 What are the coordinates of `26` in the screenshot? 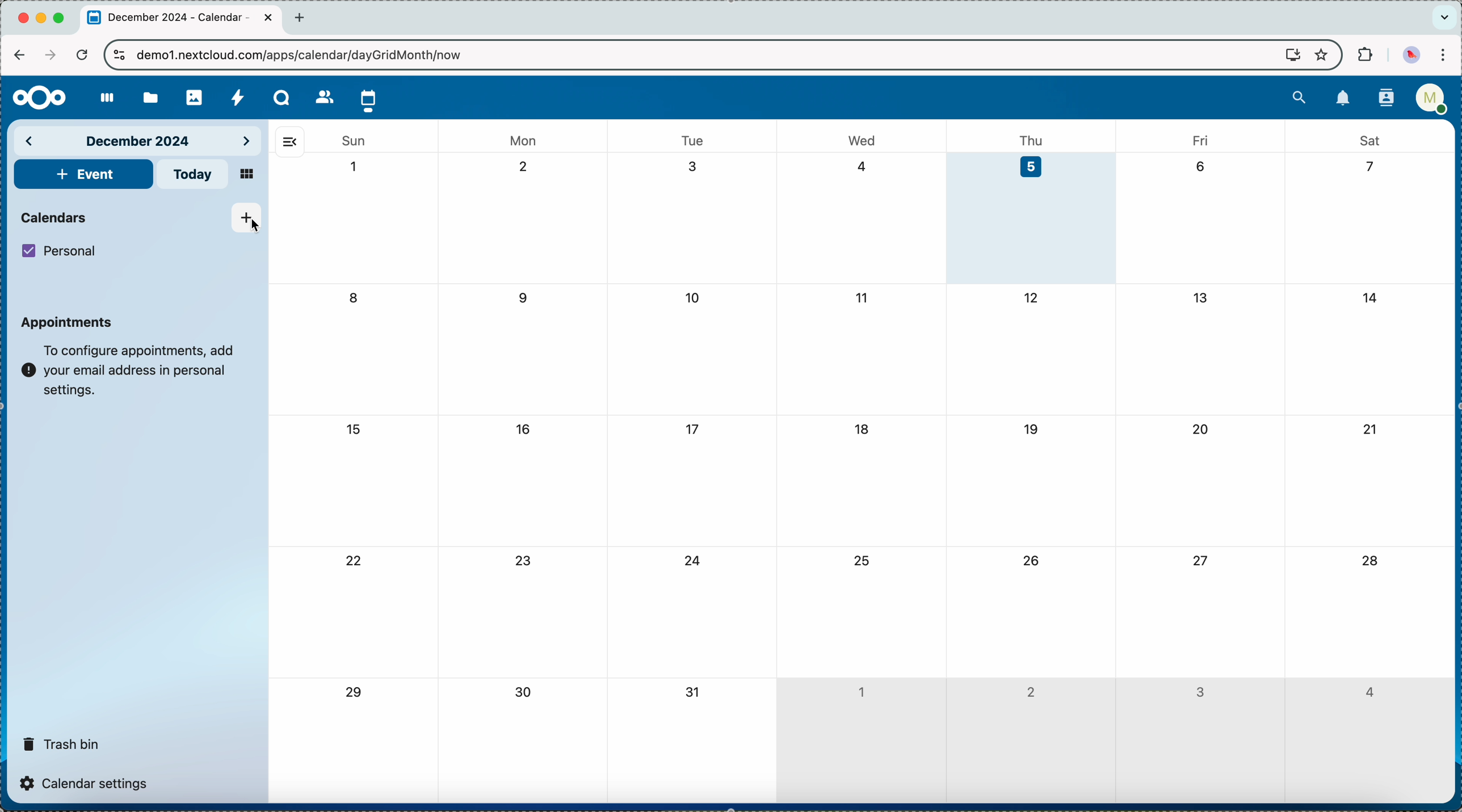 It's located at (1032, 559).